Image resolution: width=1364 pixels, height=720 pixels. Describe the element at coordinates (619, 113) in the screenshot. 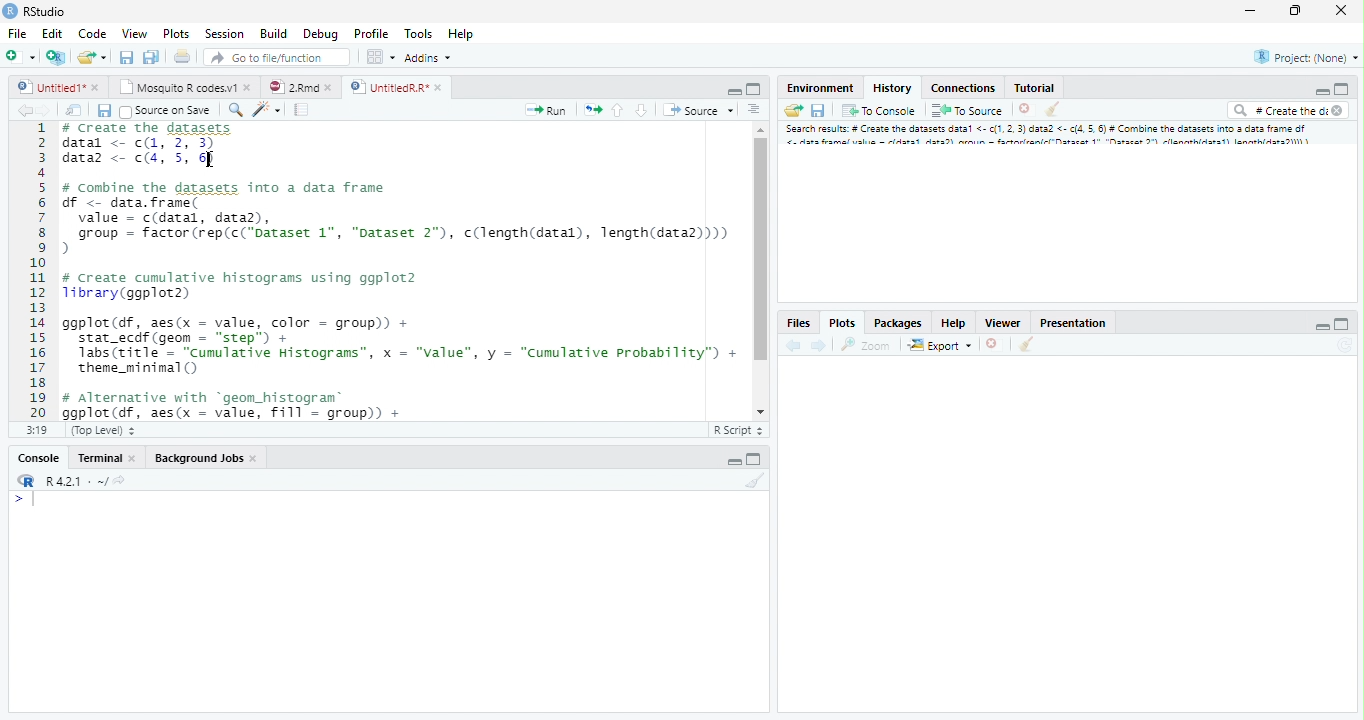

I see `Go to the previous section` at that location.